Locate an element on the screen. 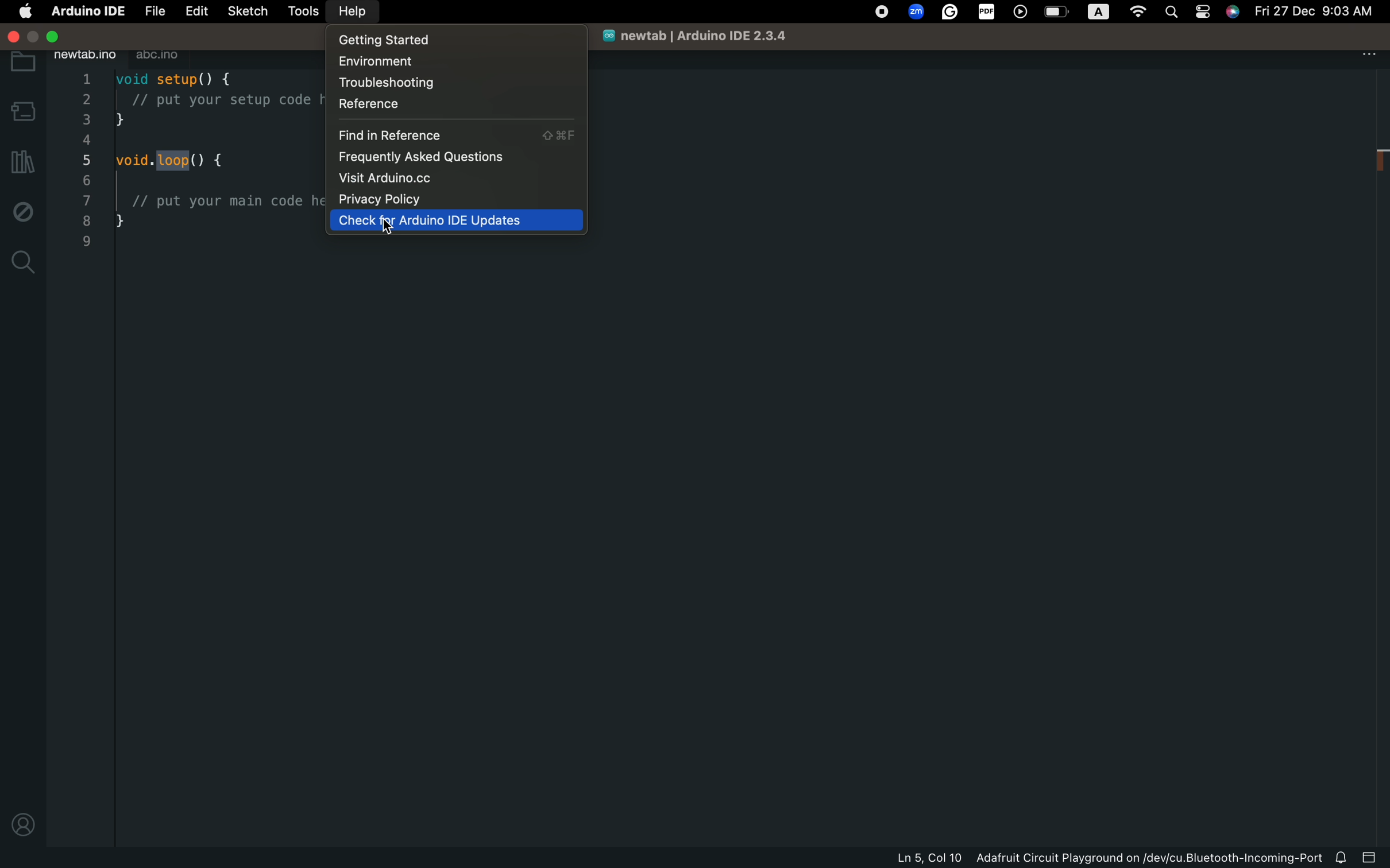 The height and width of the screenshot is (868, 1390). getting started is located at coordinates (411, 41).